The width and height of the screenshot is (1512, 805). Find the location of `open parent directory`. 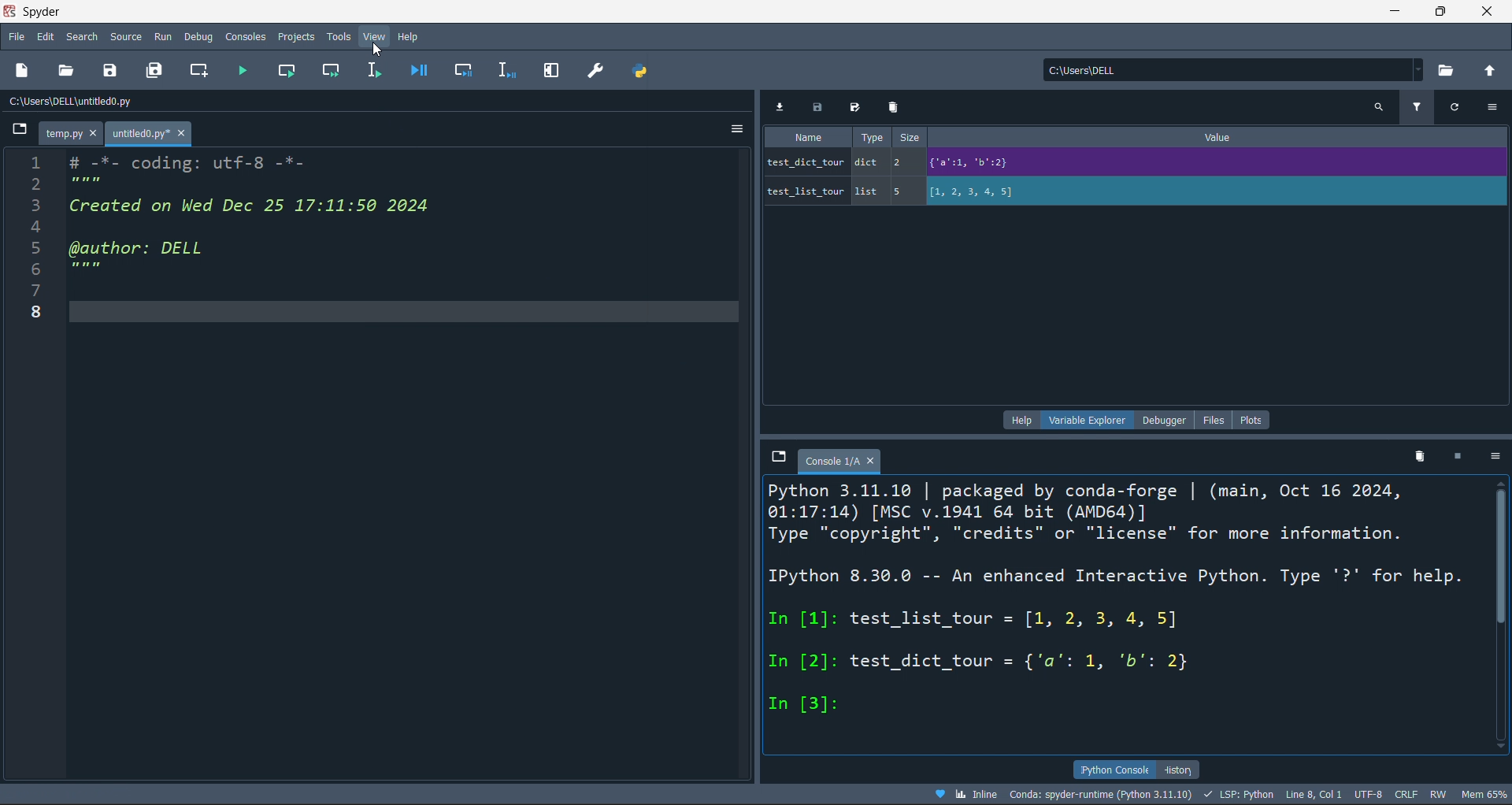

open parent directory is located at coordinates (1494, 70).